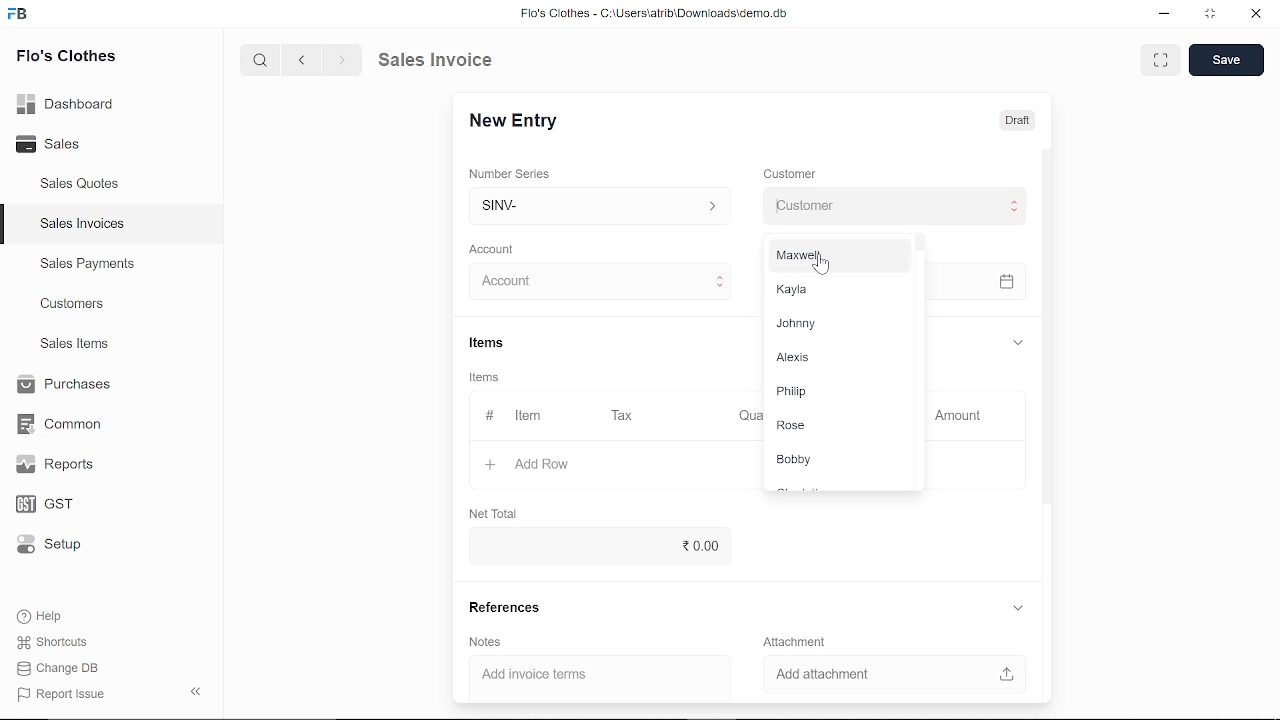 The width and height of the screenshot is (1280, 720). What do you see at coordinates (515, 122) in the screenshot?
I see `New Entry` at bounding box center [515, 122].